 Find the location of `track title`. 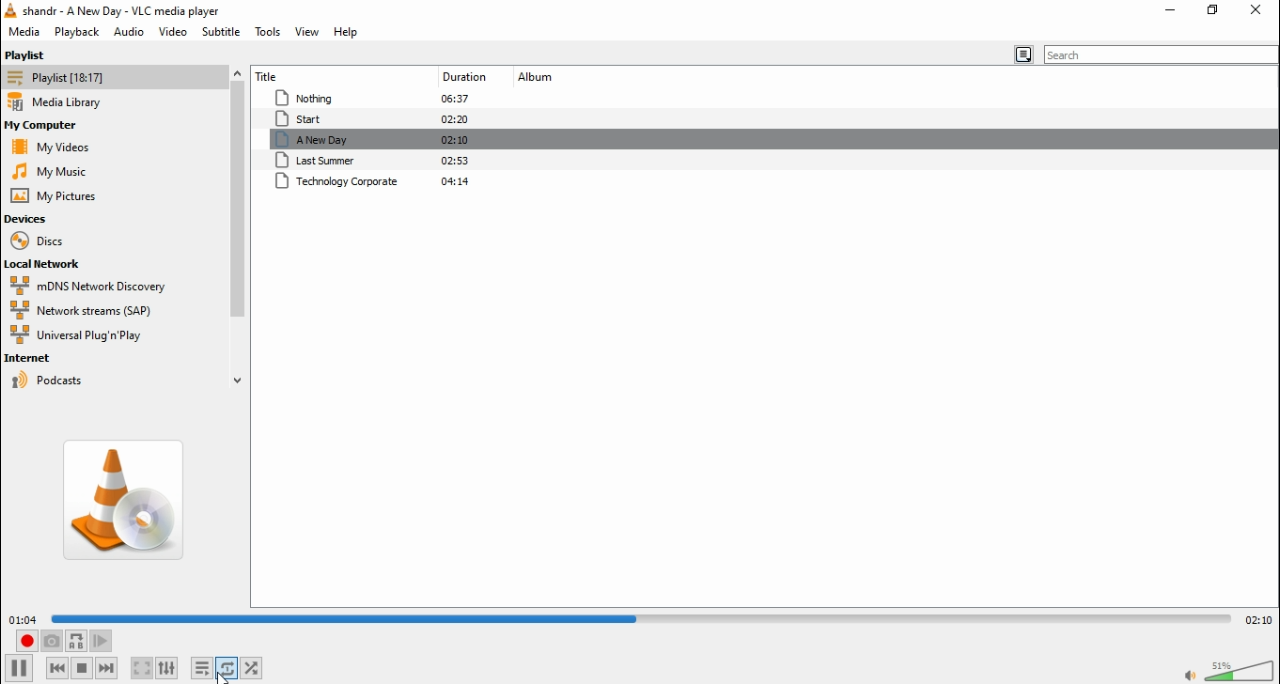

track title is located at coordinates (315, 74).